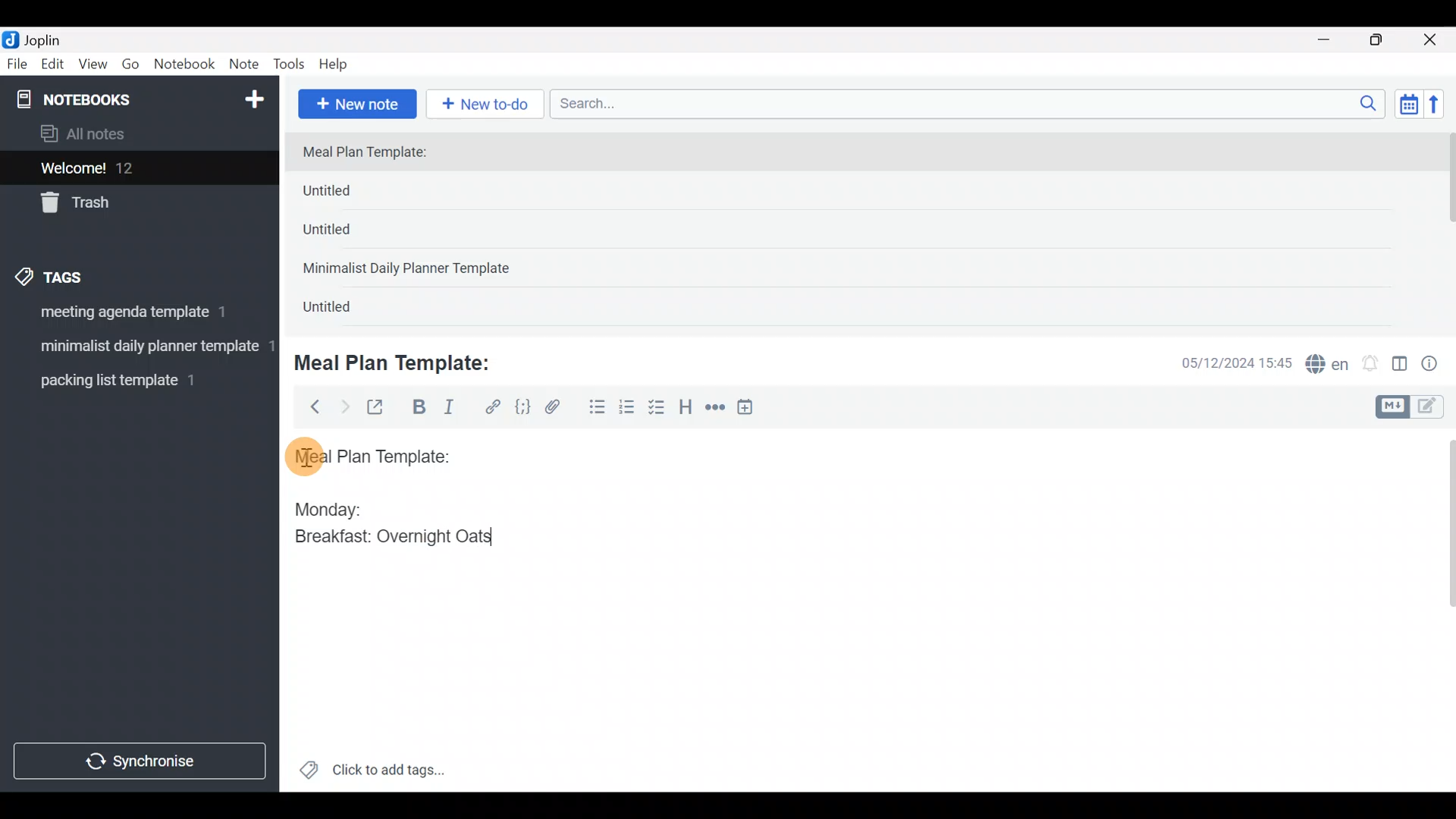 The image size is (1456, 819). What do you see at coordinates (752, 409) in the screenshot?
I see `Insert time` at bounding box center [752, 409].